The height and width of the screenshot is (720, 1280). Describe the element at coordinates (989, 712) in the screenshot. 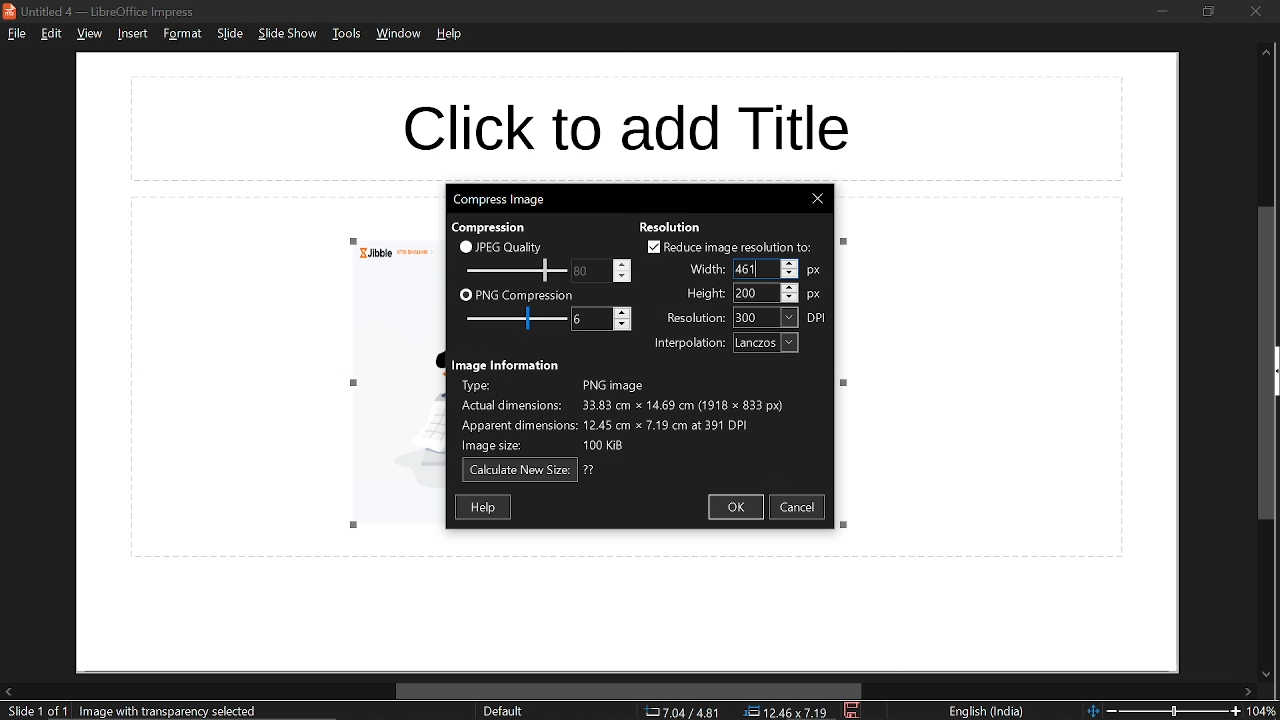

I see `language` at that location.